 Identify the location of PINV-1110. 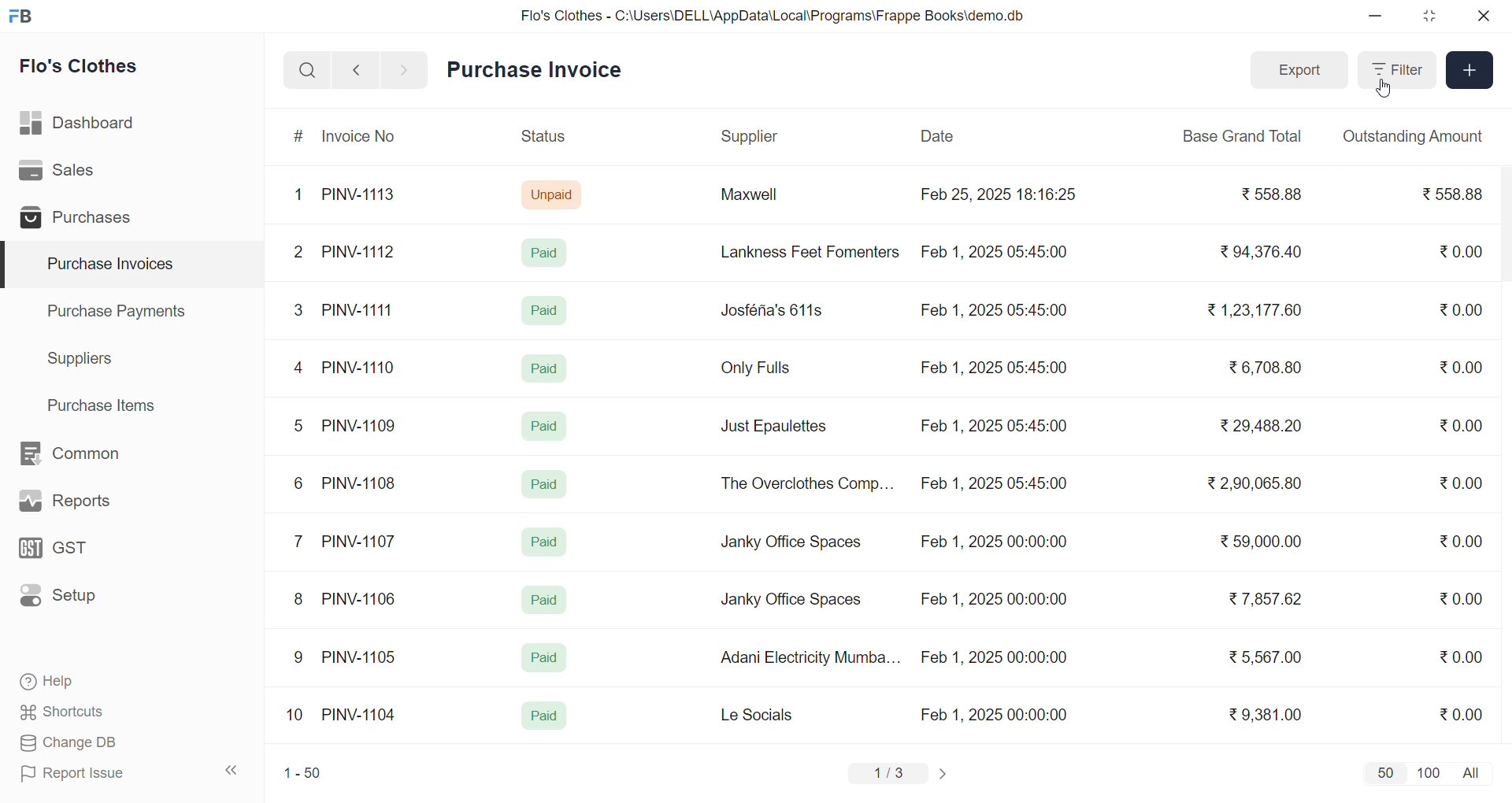
(360, 367).